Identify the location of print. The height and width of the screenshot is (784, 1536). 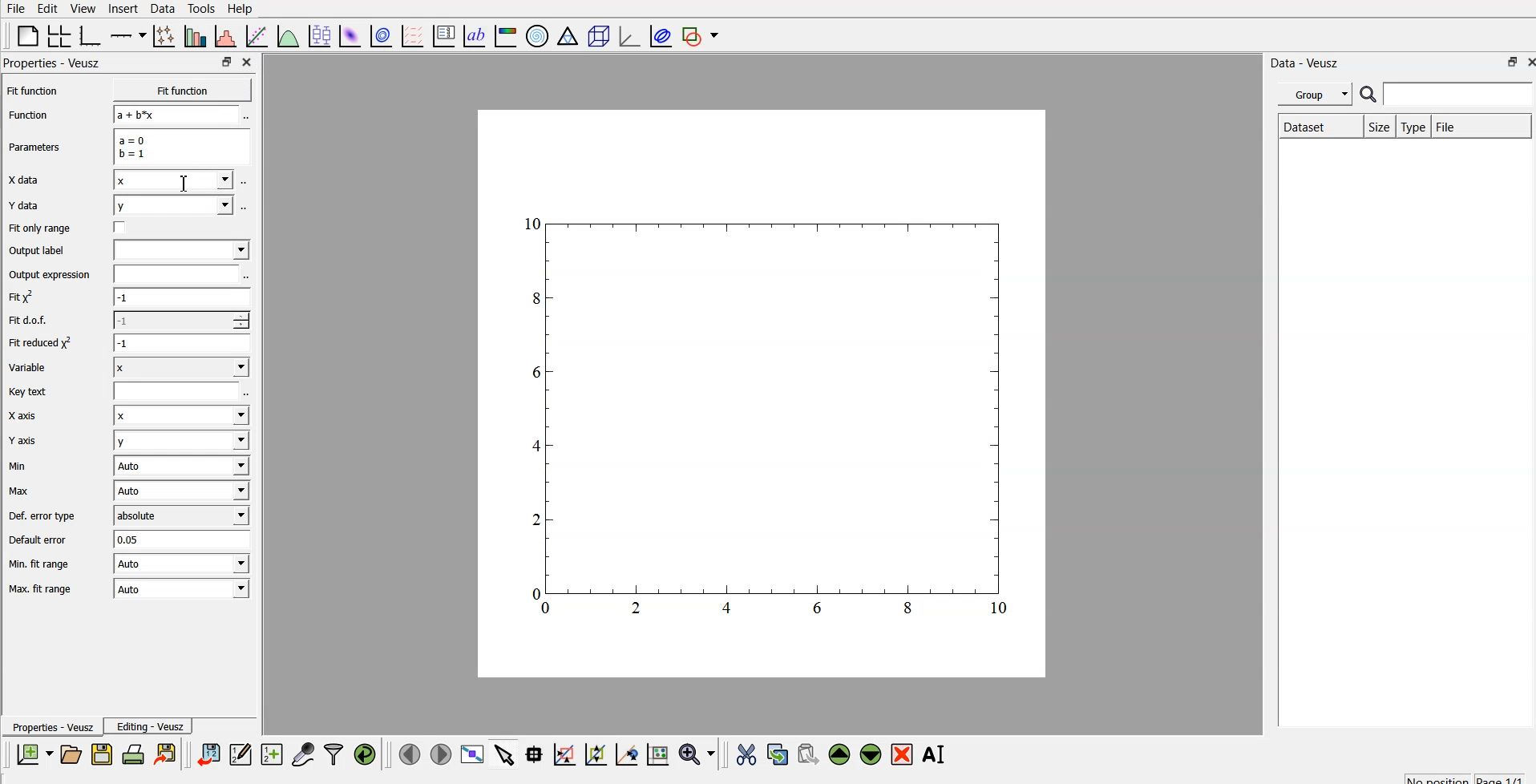
(134, 755).